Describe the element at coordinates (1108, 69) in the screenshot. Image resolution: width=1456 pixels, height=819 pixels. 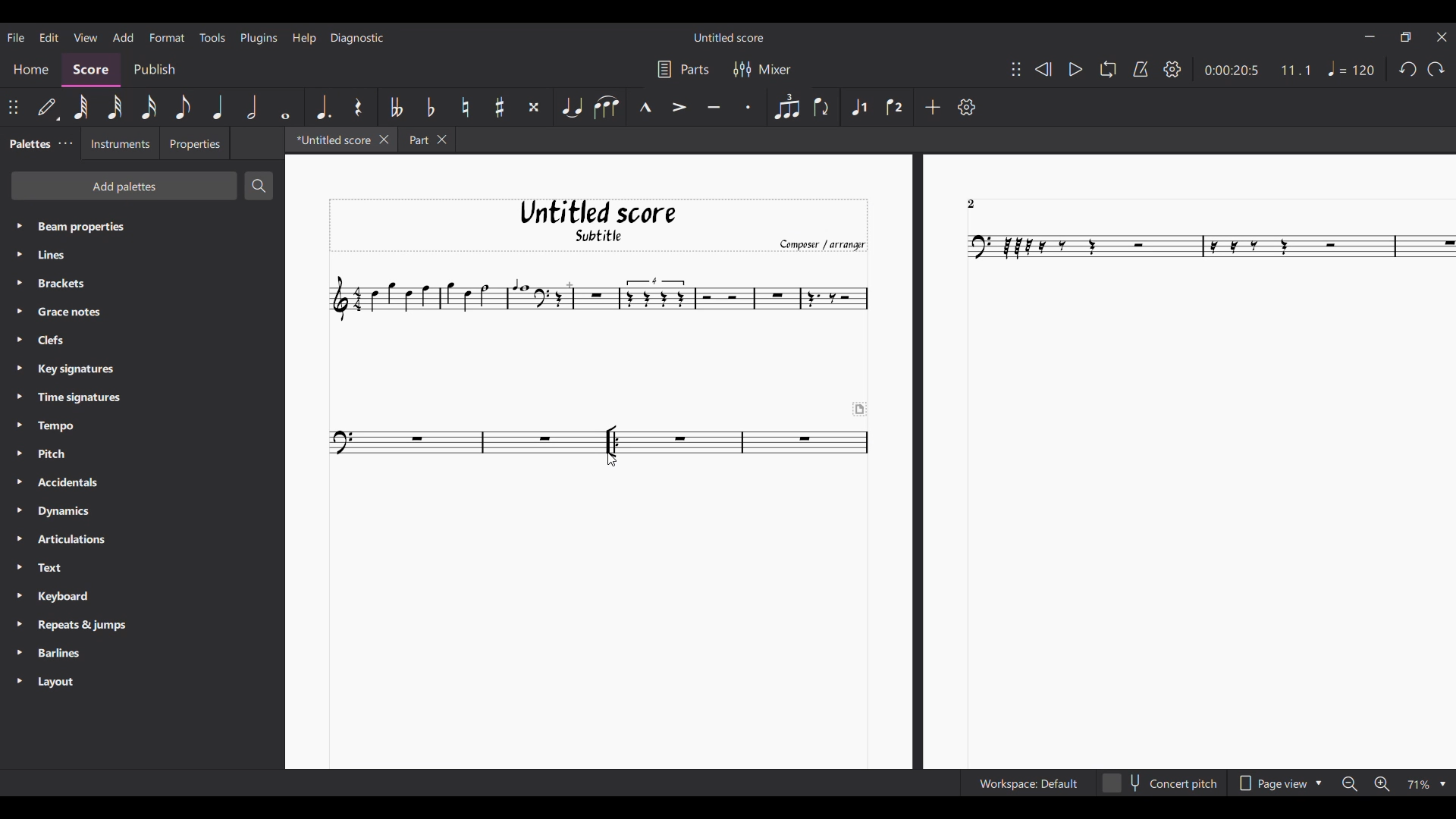
I see `Loop playback` at that location.